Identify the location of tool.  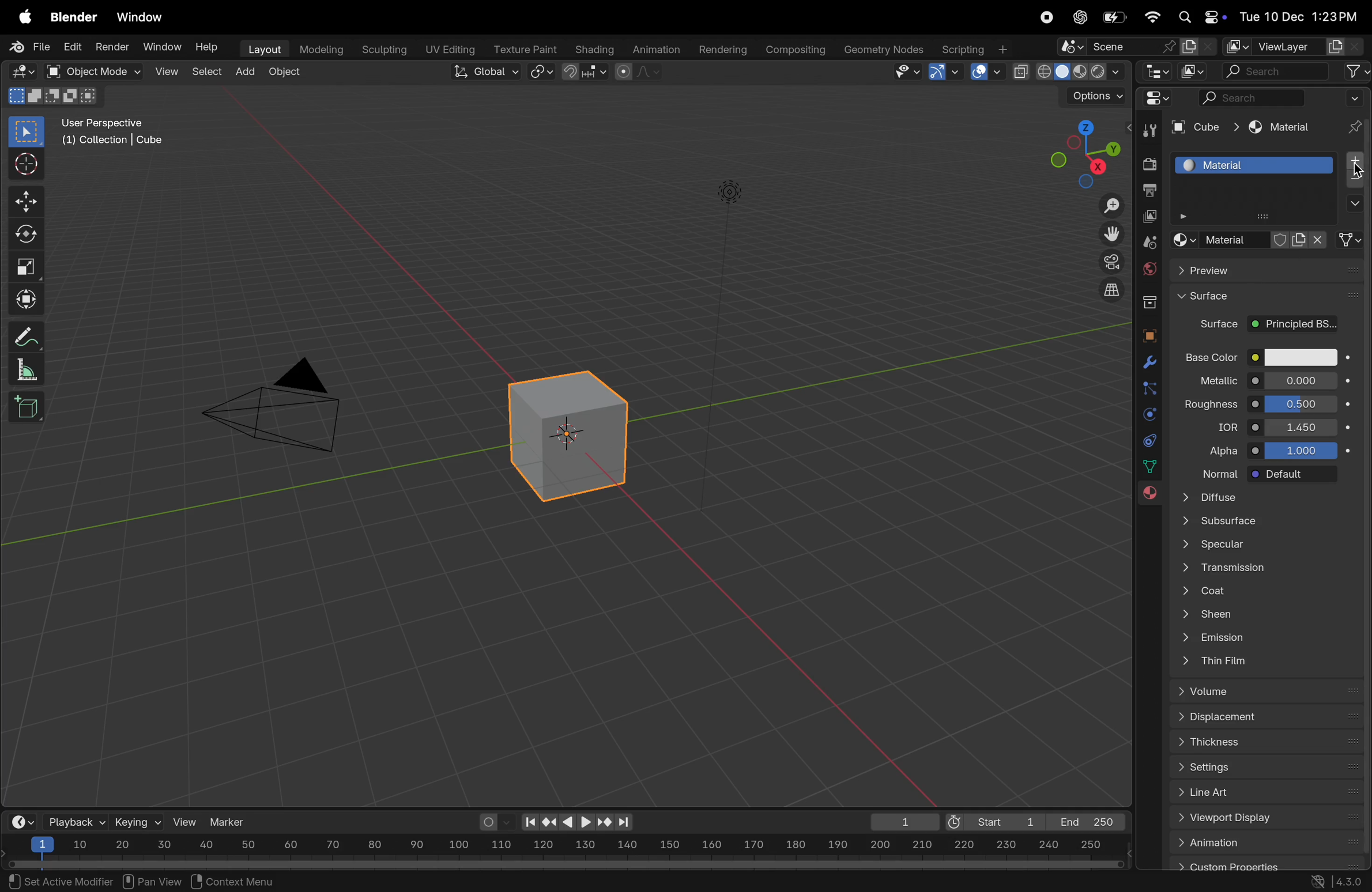
(1146, 133).